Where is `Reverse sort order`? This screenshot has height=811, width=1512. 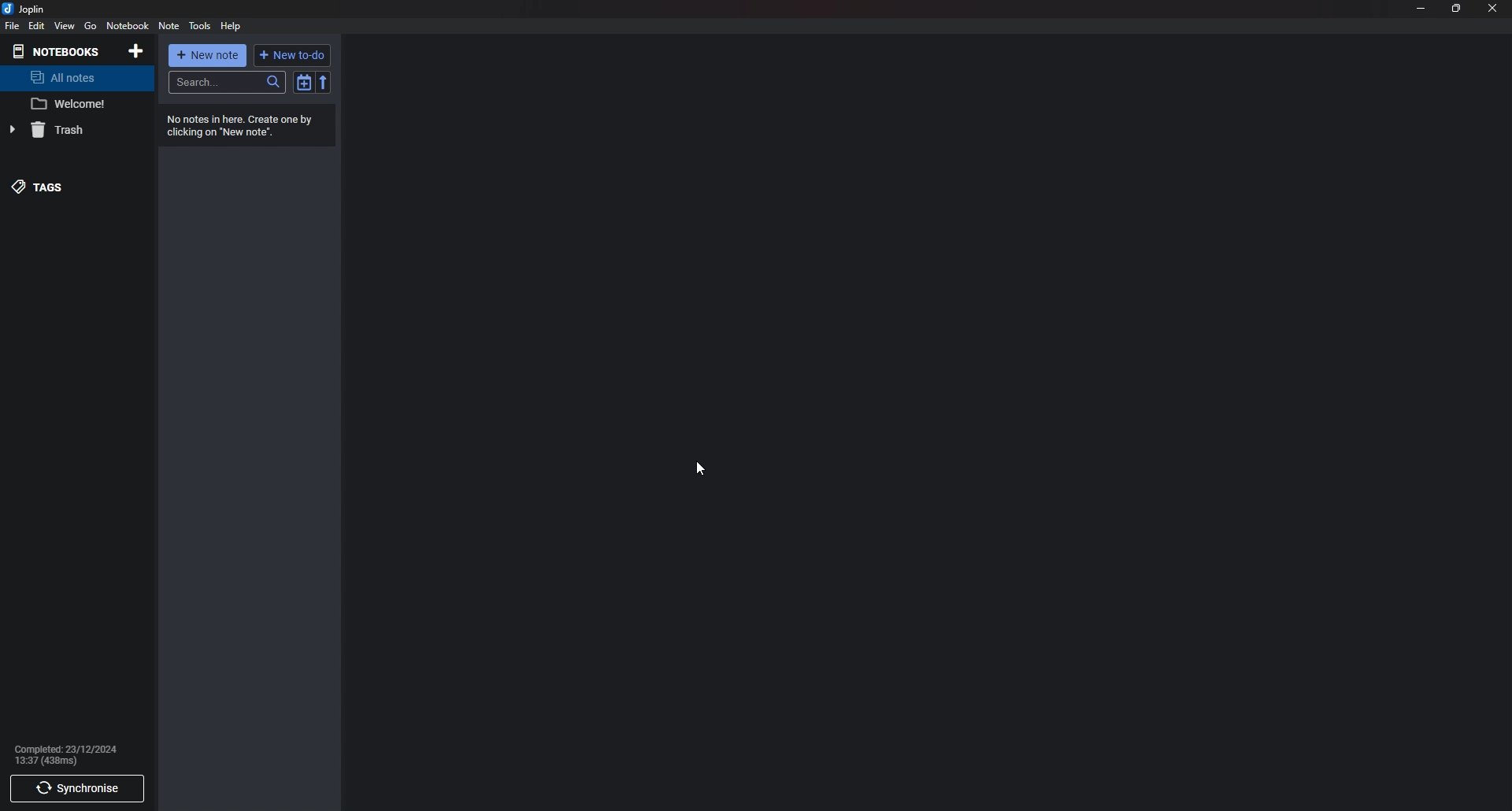
Reverse sort order is located at coordinates (324, 83).